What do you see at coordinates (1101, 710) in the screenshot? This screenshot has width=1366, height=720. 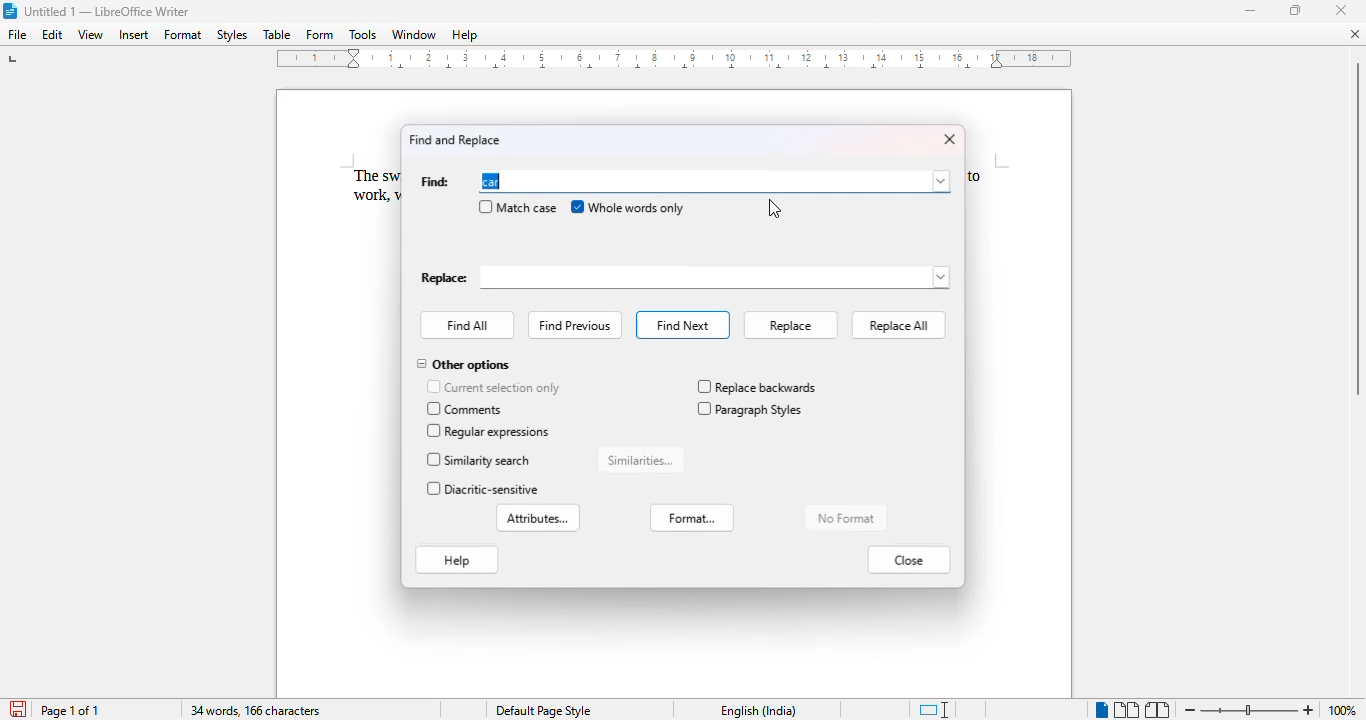 I see `single-page view` at bounding box center [1101, 710].